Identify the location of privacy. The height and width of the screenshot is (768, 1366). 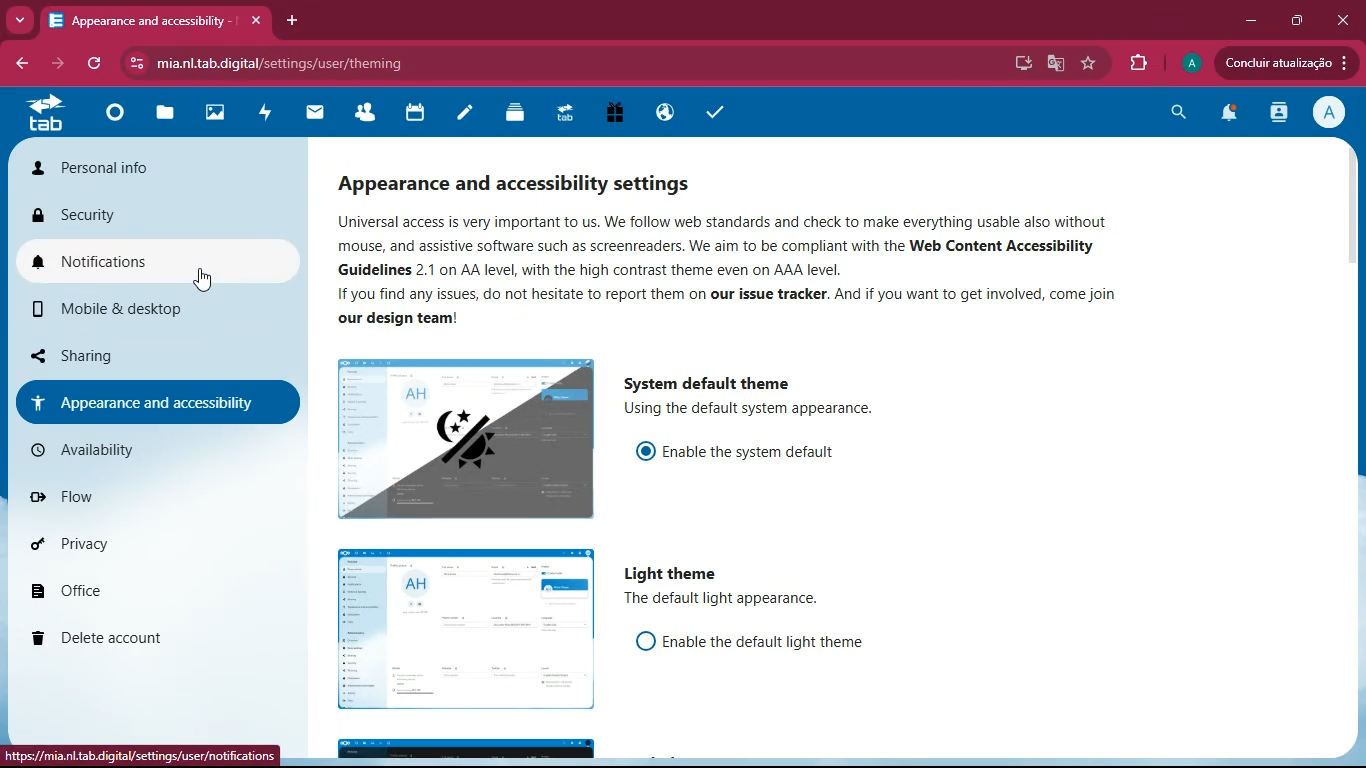
(137, 545).